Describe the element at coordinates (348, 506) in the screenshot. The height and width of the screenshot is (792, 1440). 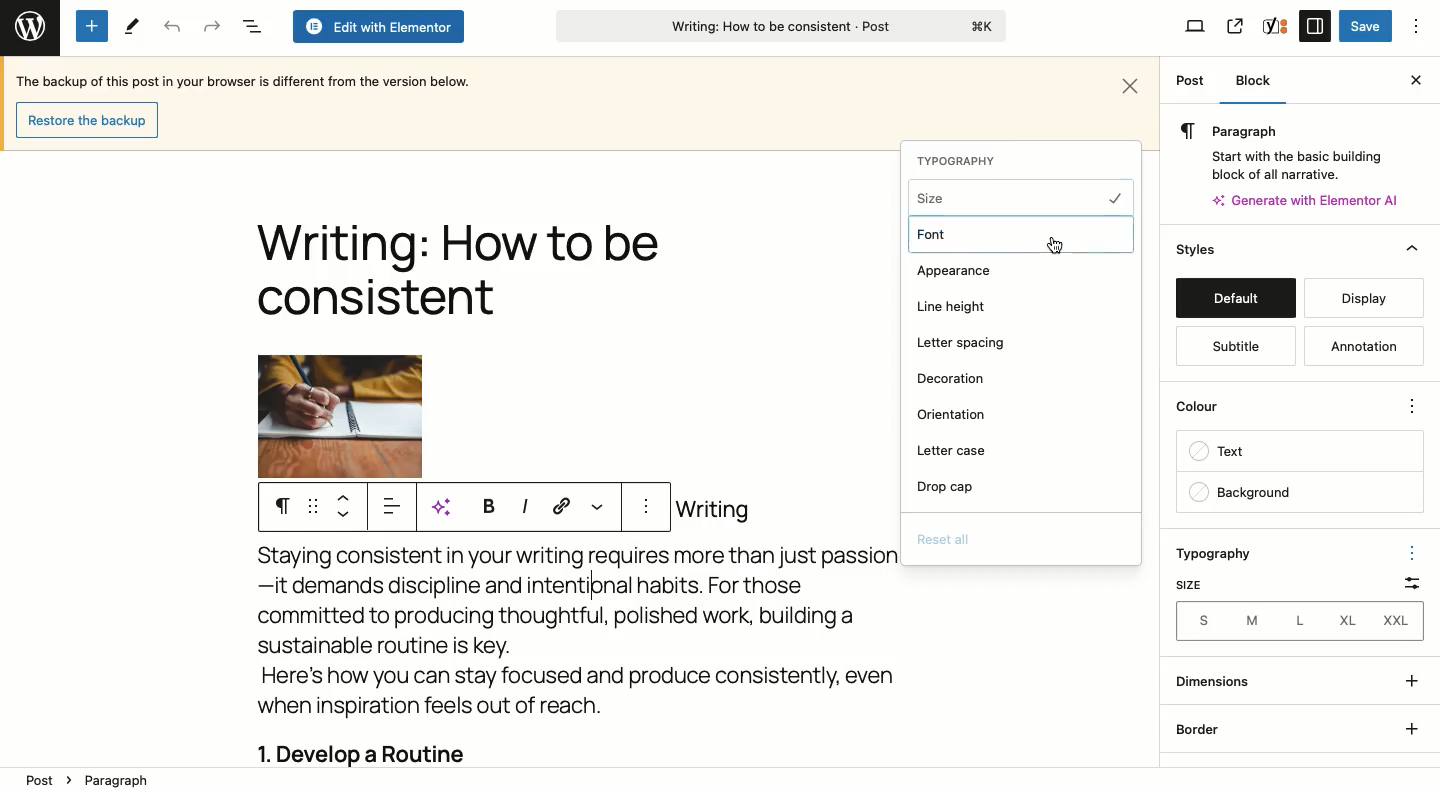
I see `Move up down` at that location.